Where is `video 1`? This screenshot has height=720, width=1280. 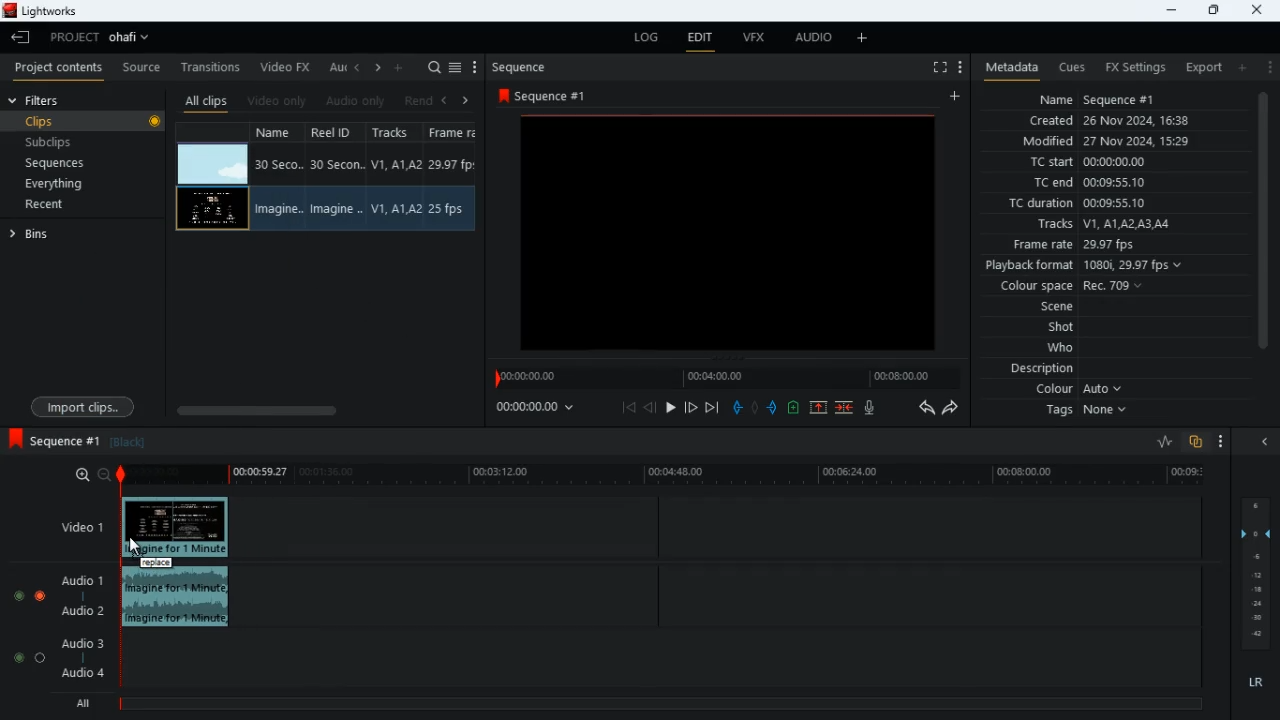 video 1 is located at coordinates (74, 526).